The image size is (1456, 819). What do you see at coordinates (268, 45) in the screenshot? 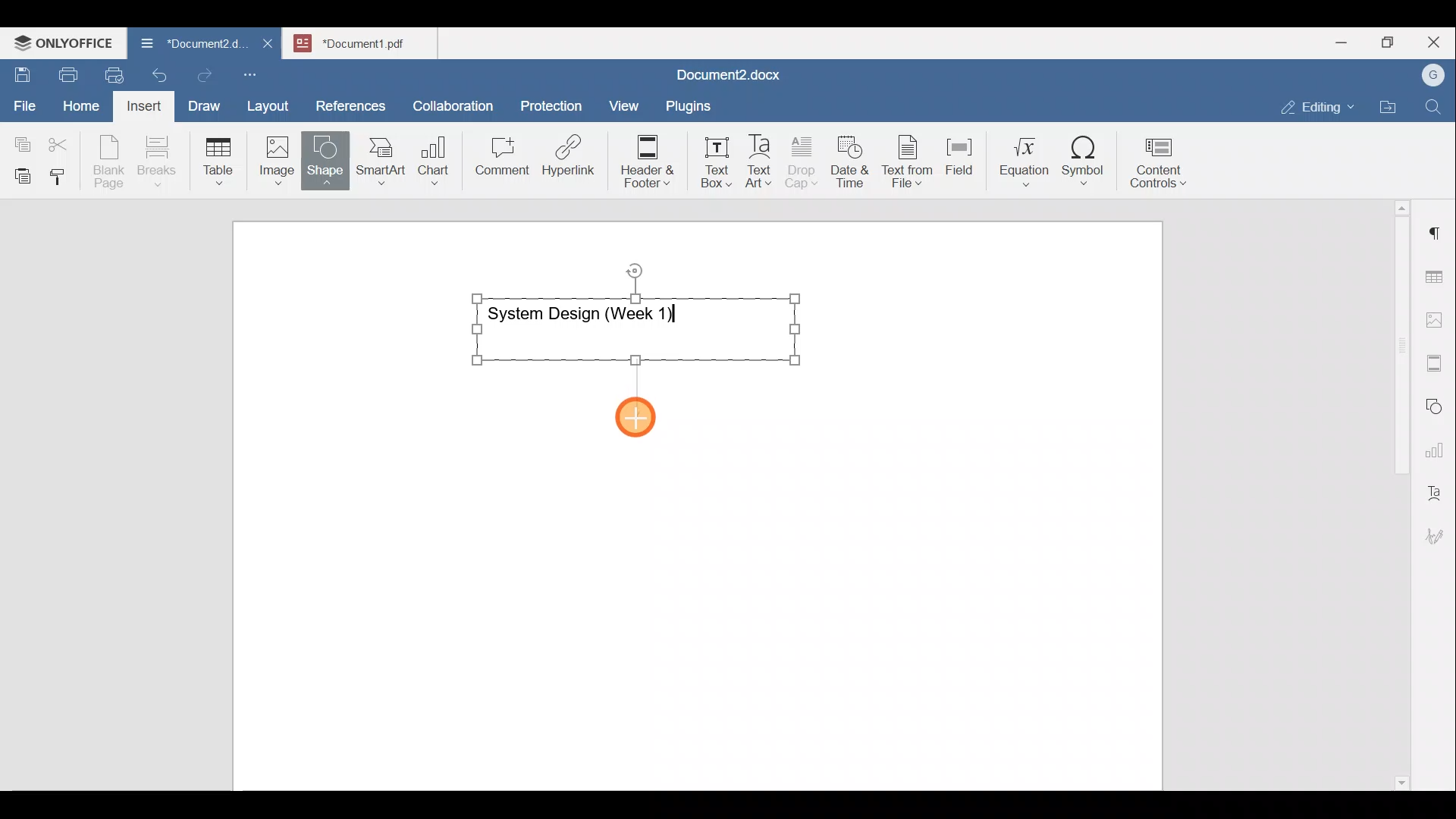
I see `Close document` at bounding box center [268, 45].